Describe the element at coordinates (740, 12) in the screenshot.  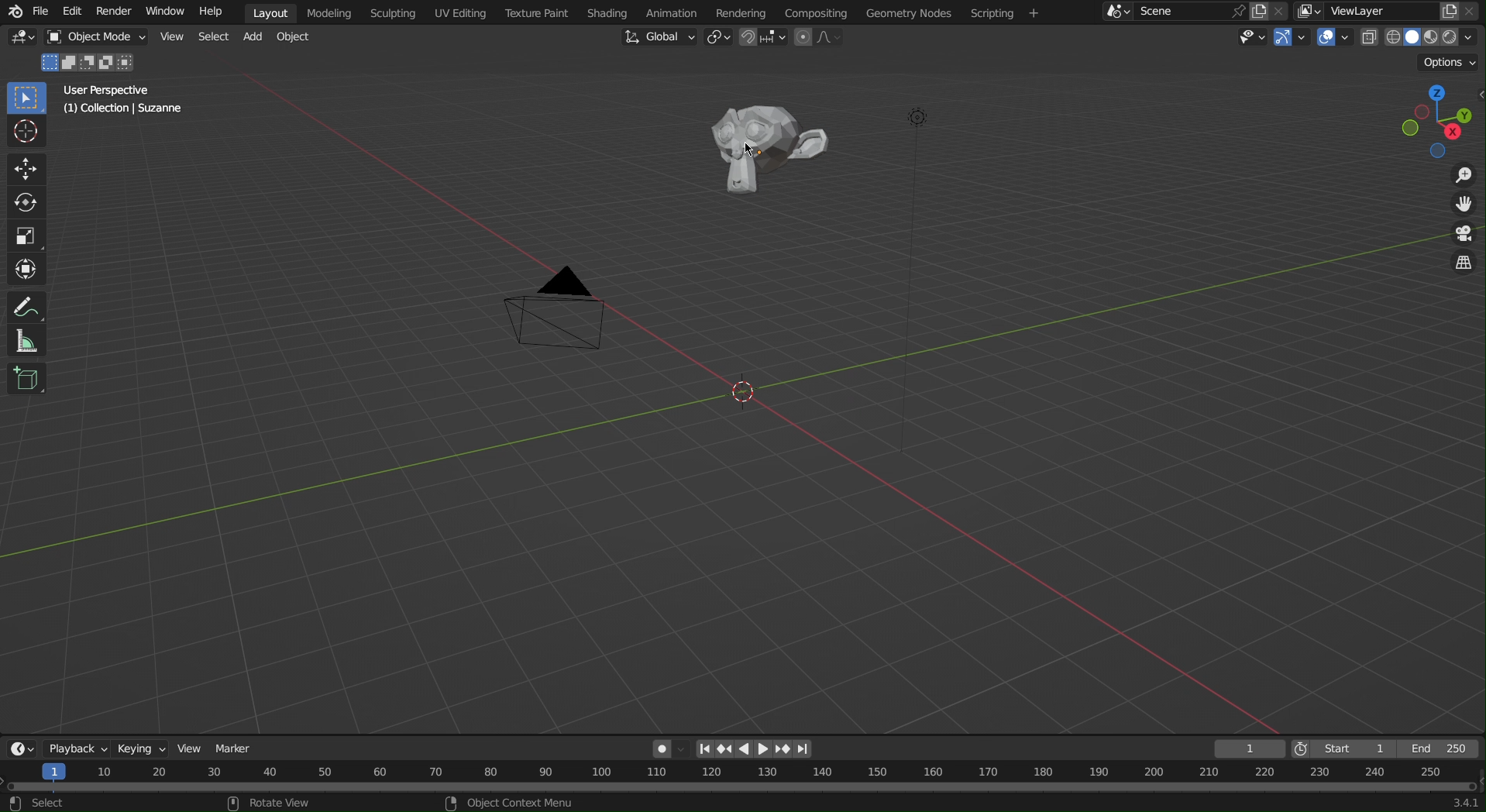
I see `Rendering` at that location.